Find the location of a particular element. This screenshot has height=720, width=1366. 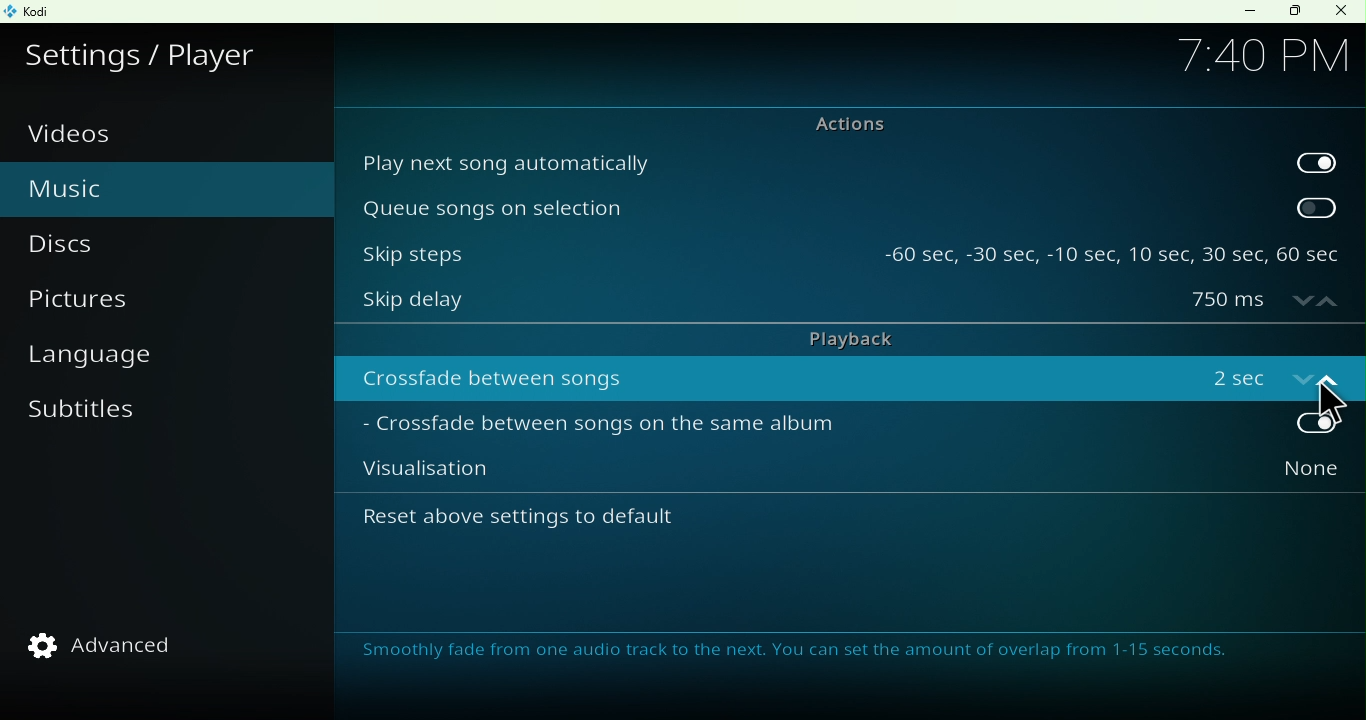

Crossfade between songs is located at coordinates (765, 377).